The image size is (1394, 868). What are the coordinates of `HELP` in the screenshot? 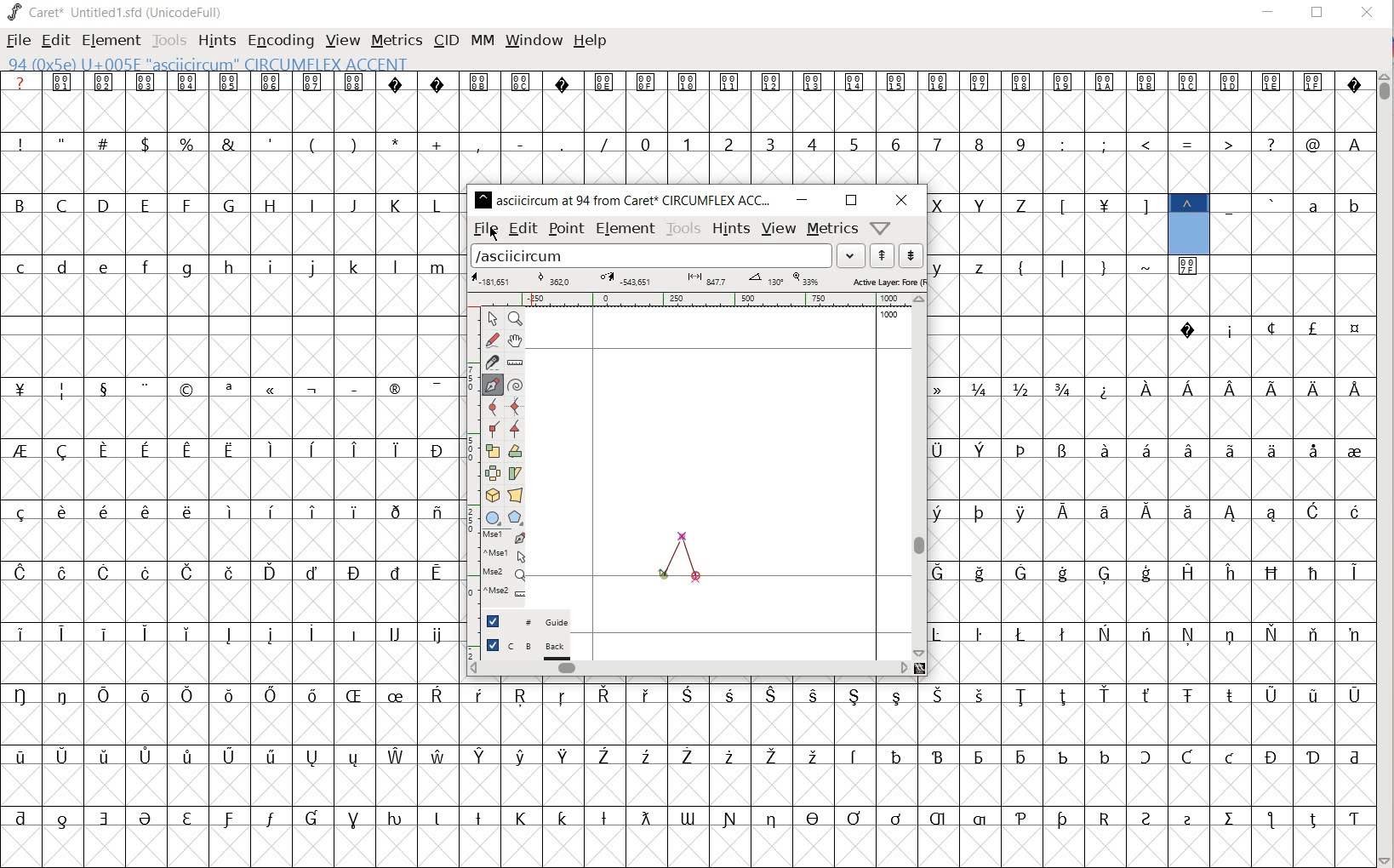 It's located at (591, 40).